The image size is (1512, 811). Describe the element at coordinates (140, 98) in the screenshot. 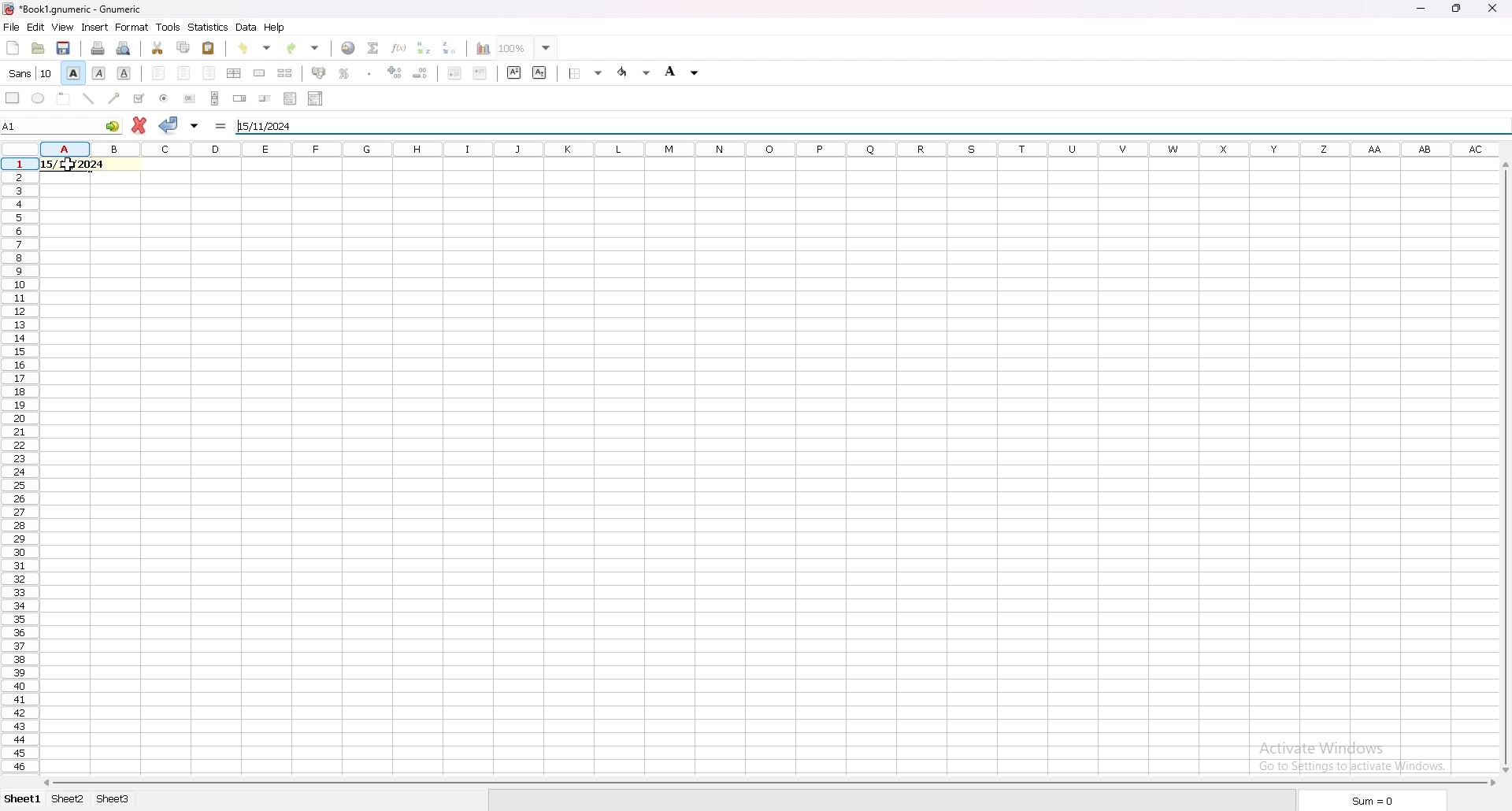

I see `checkbox` at that location.